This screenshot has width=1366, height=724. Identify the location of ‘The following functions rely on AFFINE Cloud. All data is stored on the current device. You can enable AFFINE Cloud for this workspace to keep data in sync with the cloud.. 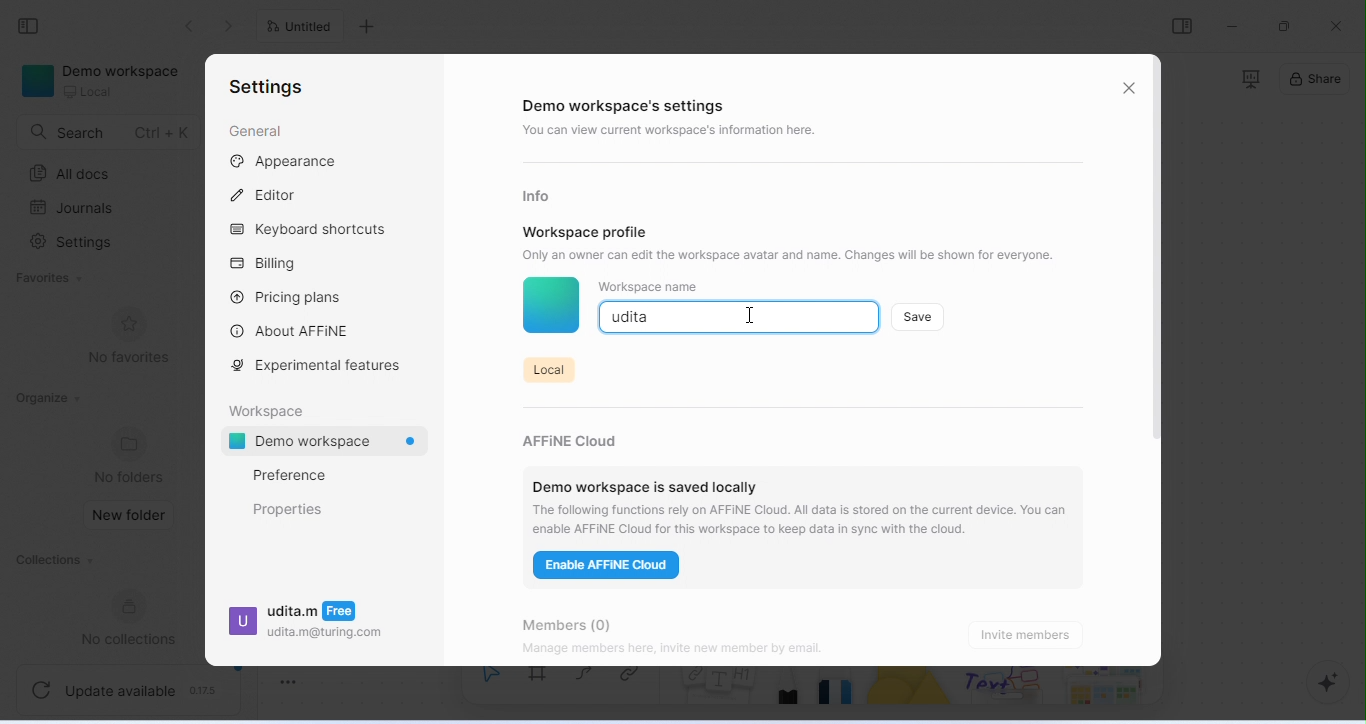
(804, 519).